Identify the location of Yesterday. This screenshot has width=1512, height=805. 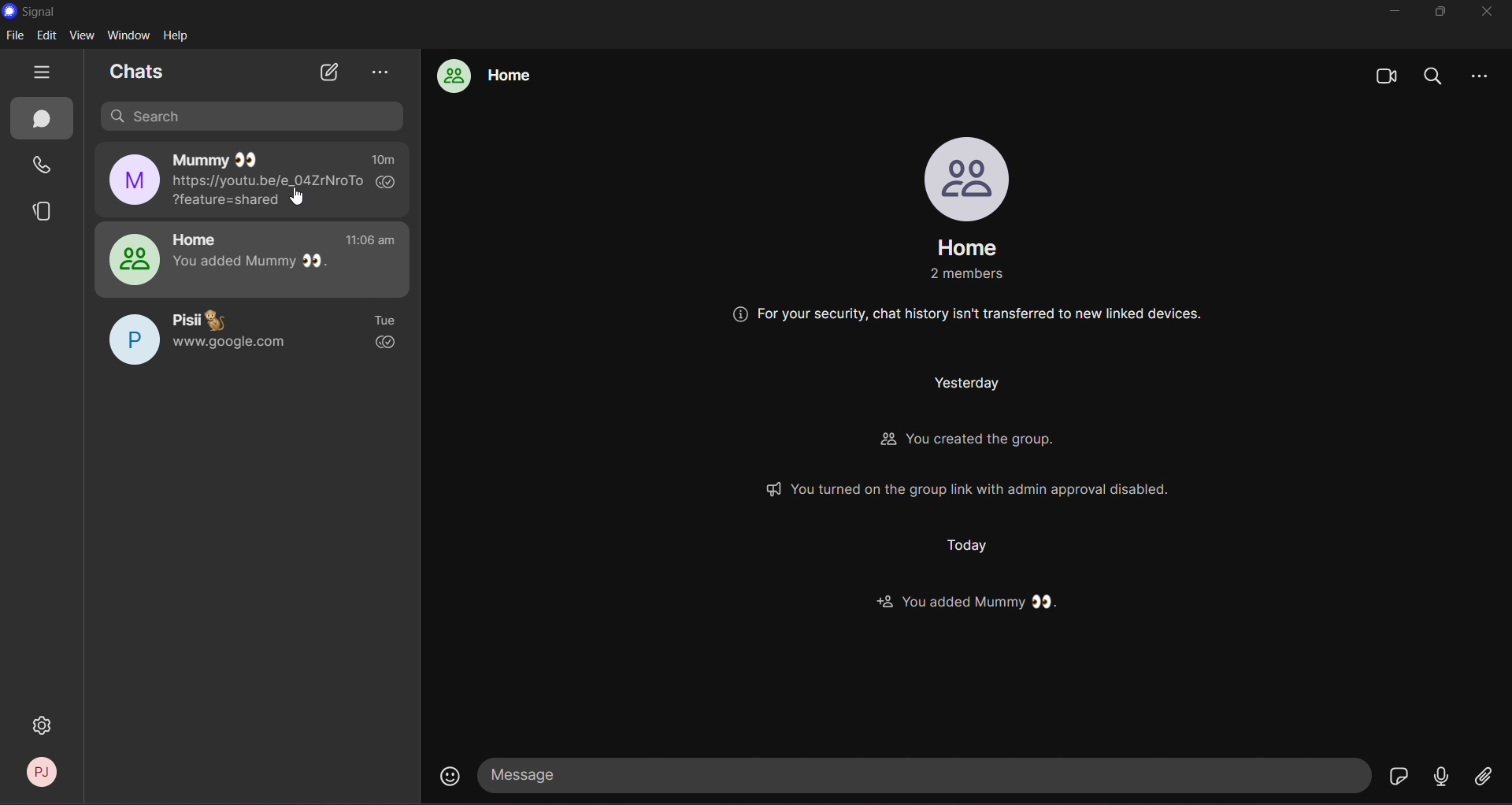
(962, 384).